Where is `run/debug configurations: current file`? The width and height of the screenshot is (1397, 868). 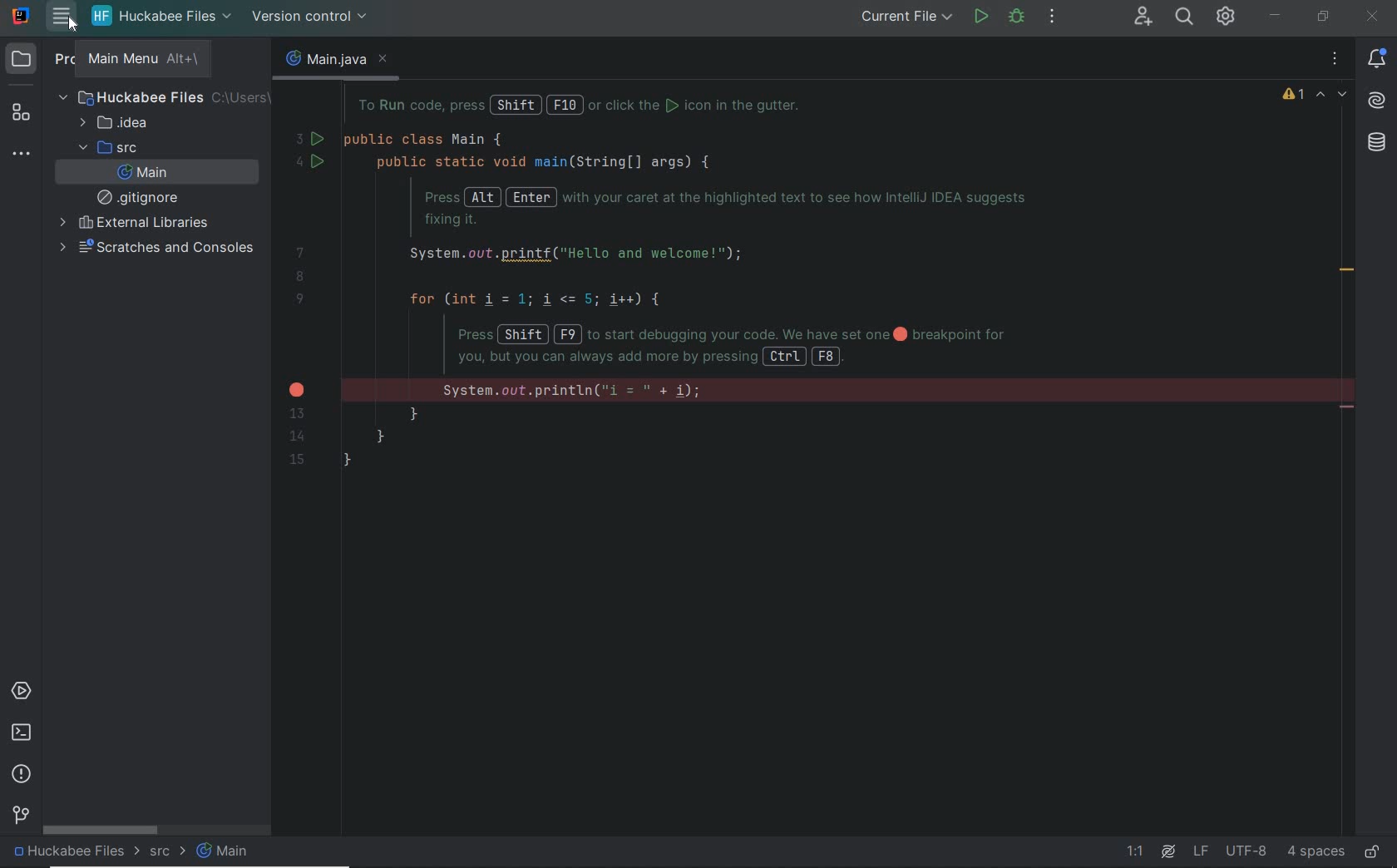
run/debug configurations: current file is located at coordinates (908, 18).